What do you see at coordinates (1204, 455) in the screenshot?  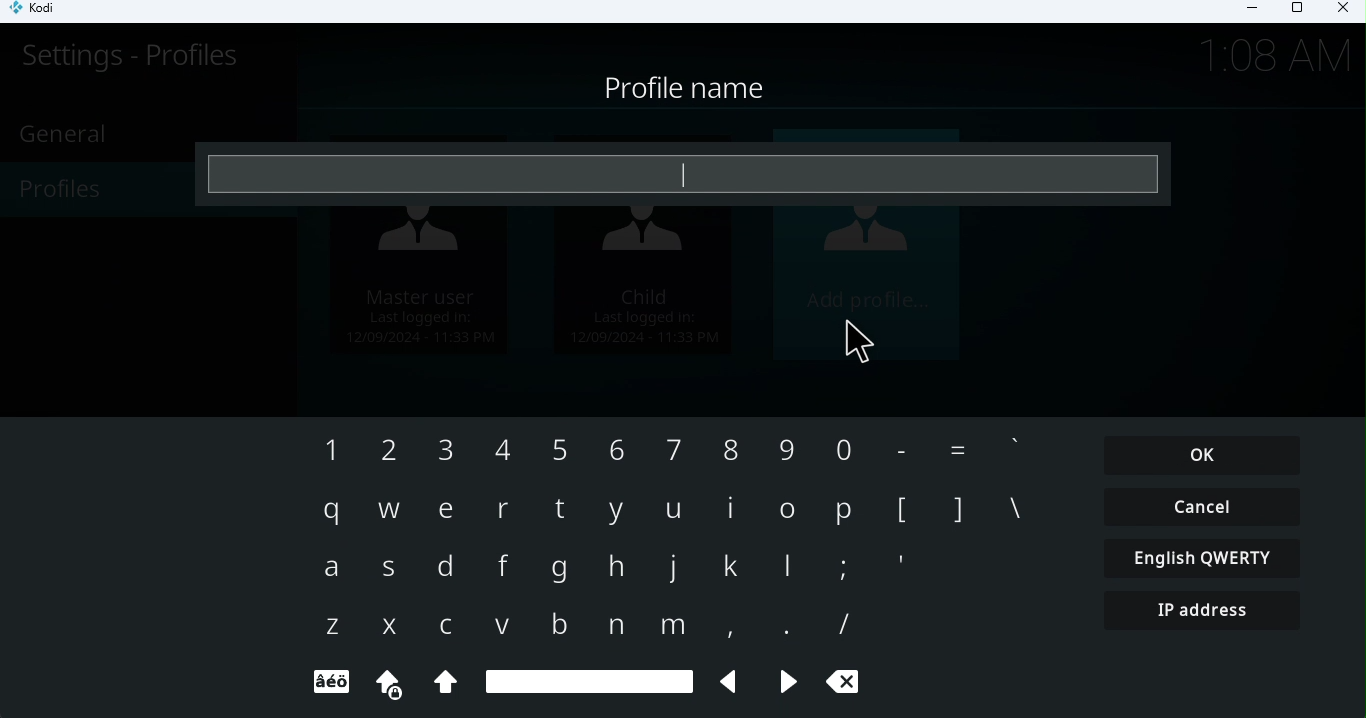 I see `OK` at bounding box center [1204, 455].